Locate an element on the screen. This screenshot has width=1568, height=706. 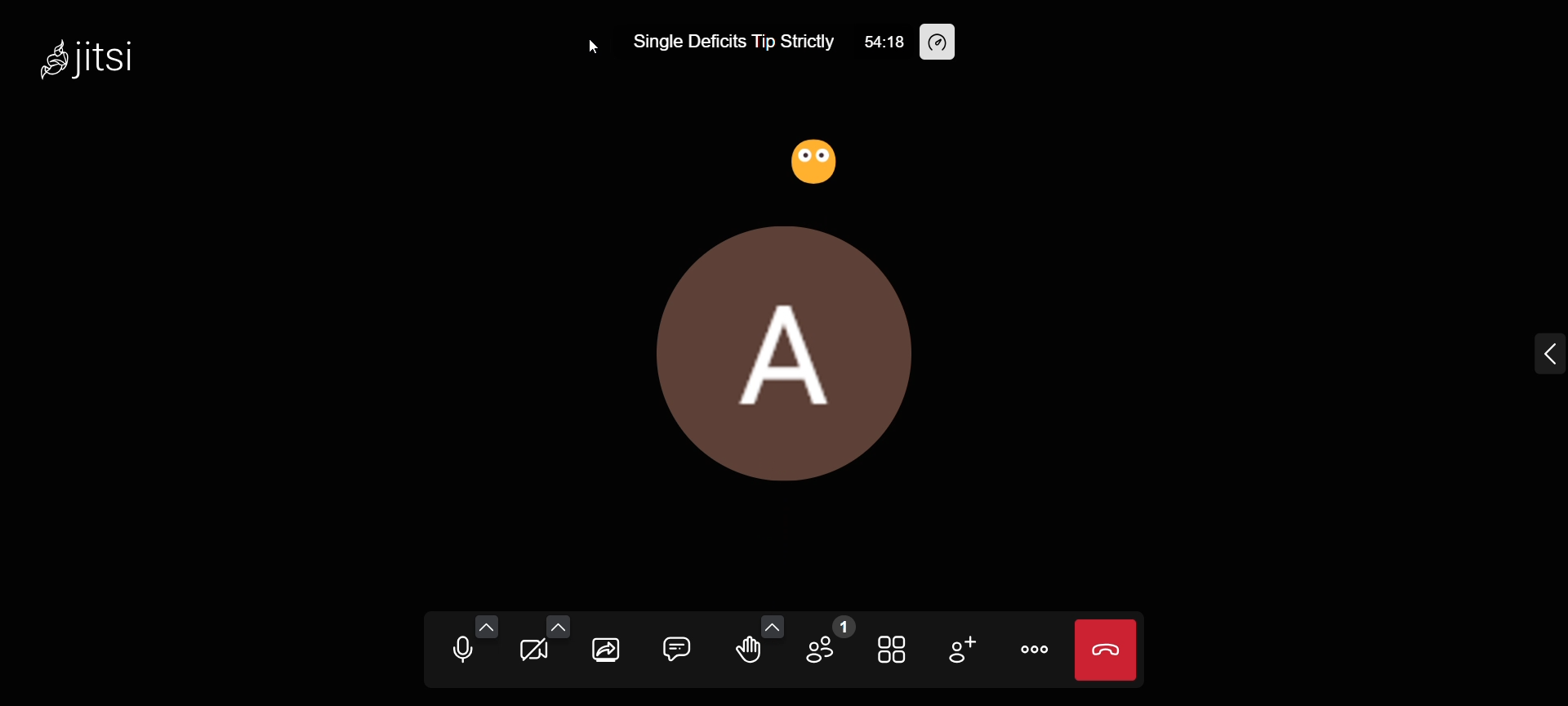
raise hand is located at coordinates (746, 653).